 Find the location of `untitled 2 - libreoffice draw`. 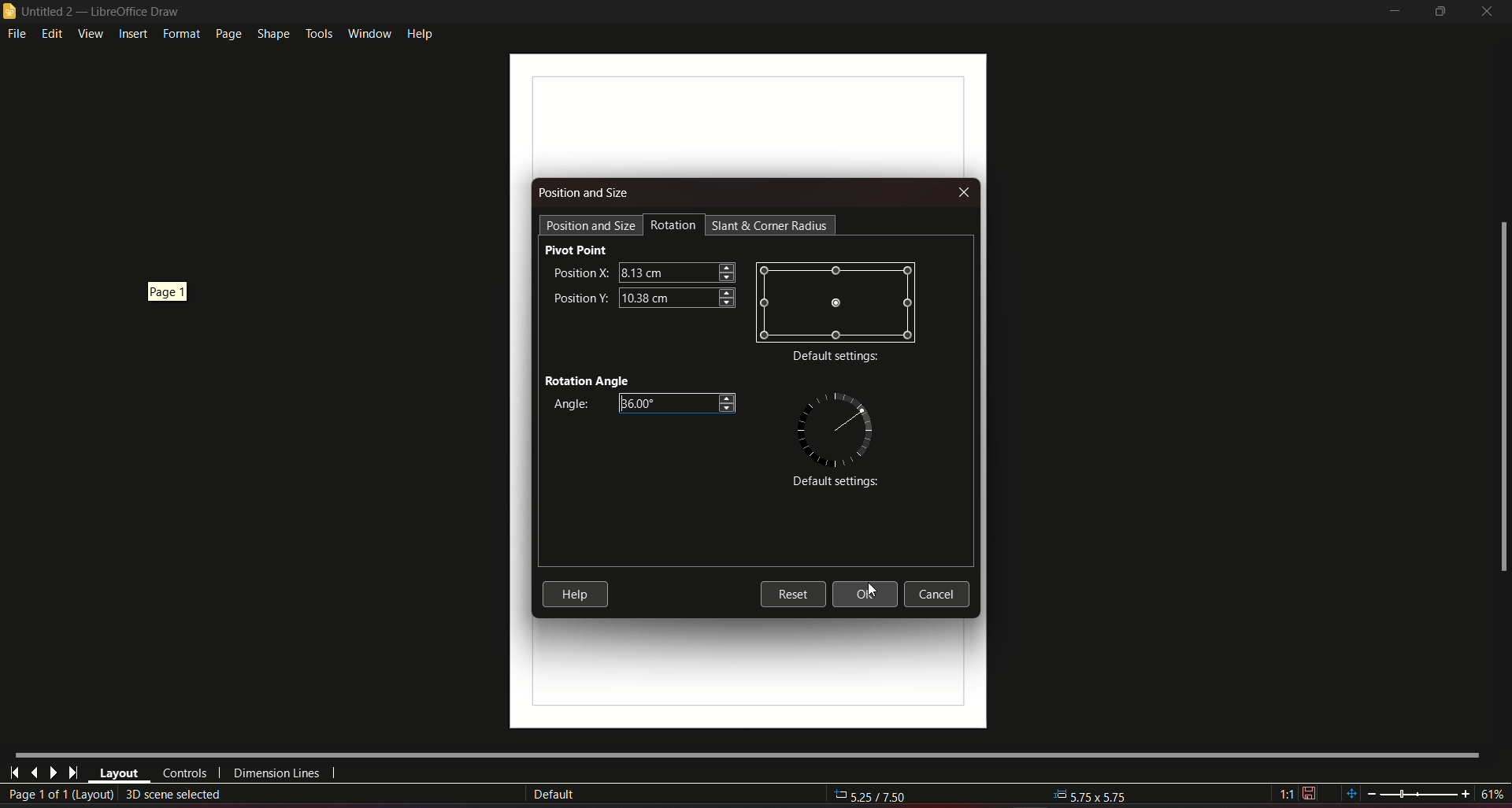

untitled 2 - libreoffice draw is located at coordinates (93, 12).